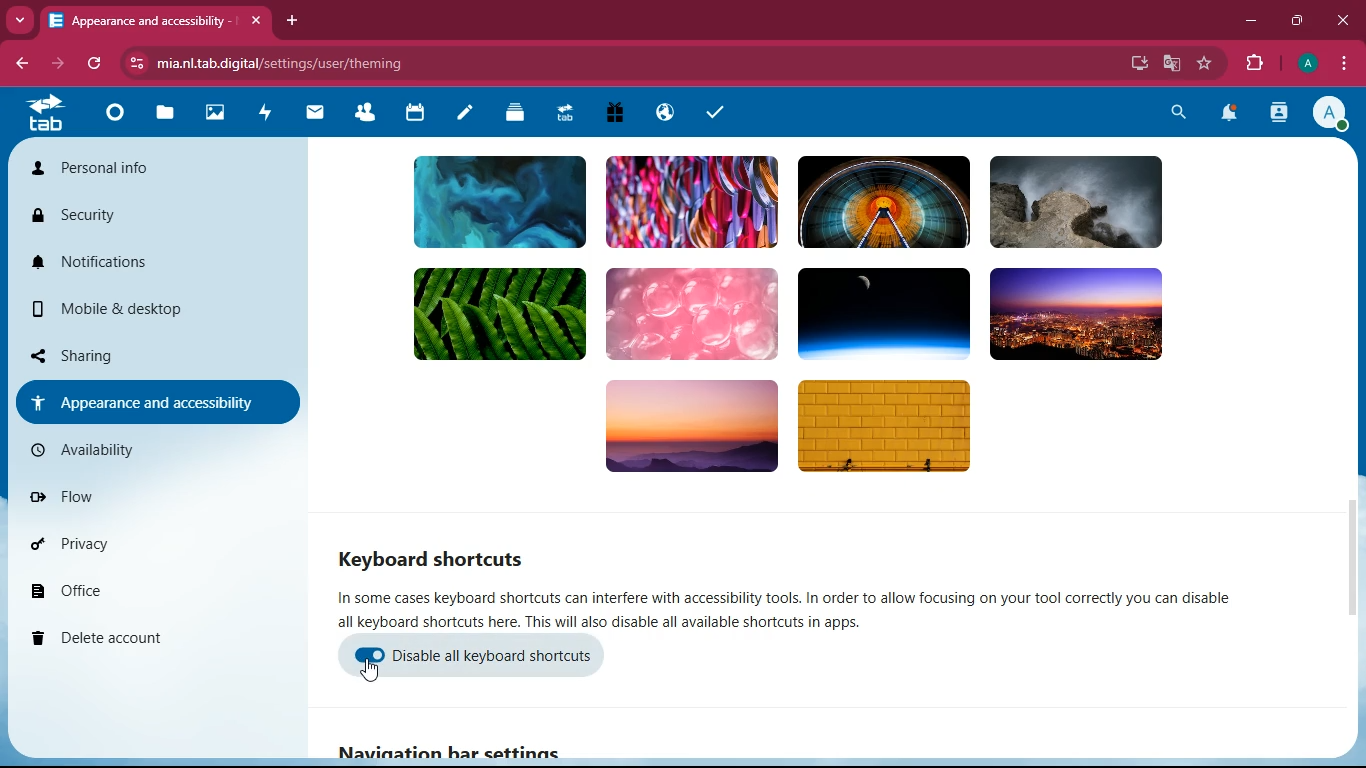 This screenshot has height=768, width=1366. What do you see at coordinates (508, 658) in the screenshot?
I see `disable` at bounding box center [508, 658].